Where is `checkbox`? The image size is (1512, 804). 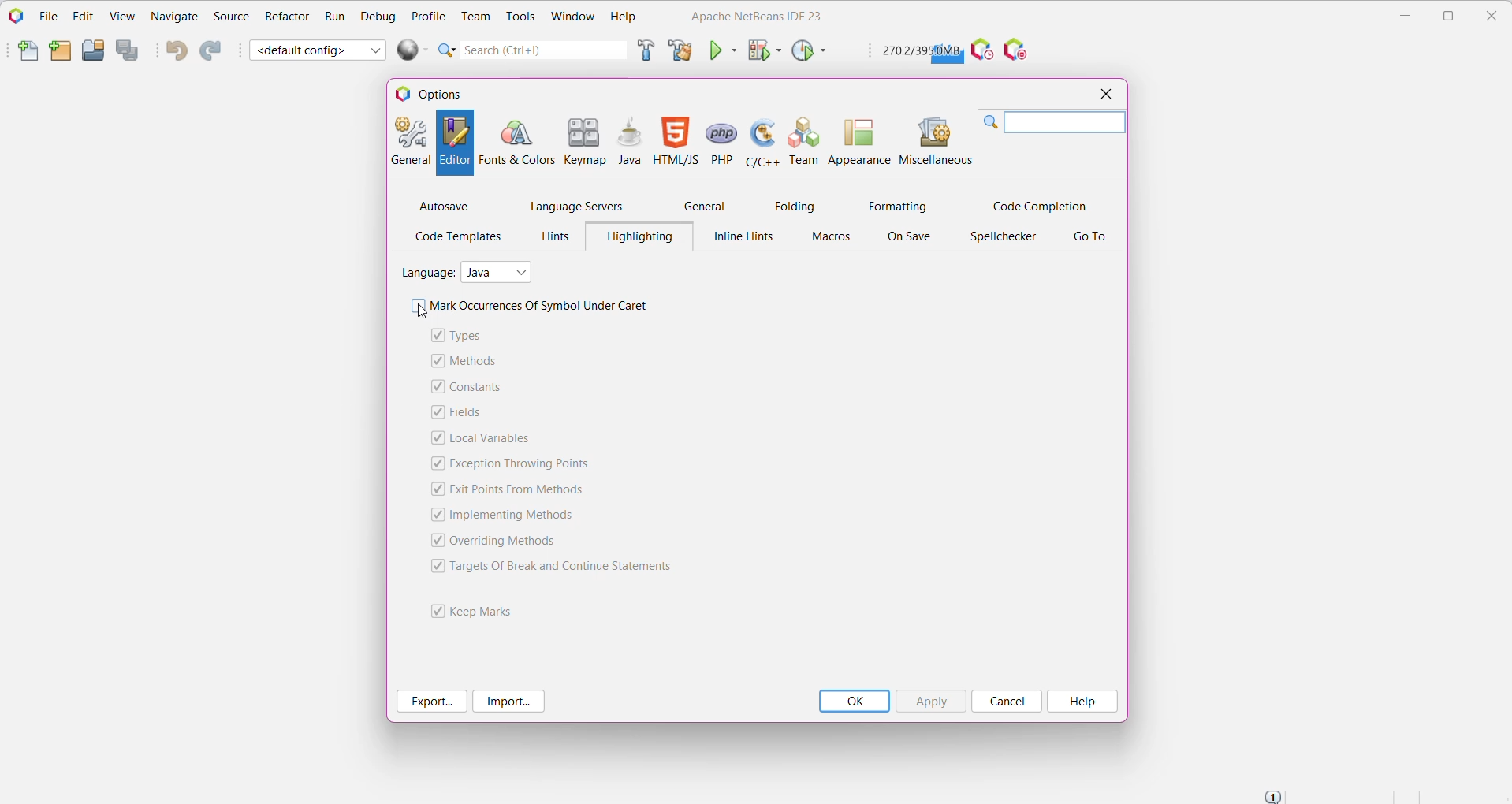
checkbox is located at coordinates (434, 565).